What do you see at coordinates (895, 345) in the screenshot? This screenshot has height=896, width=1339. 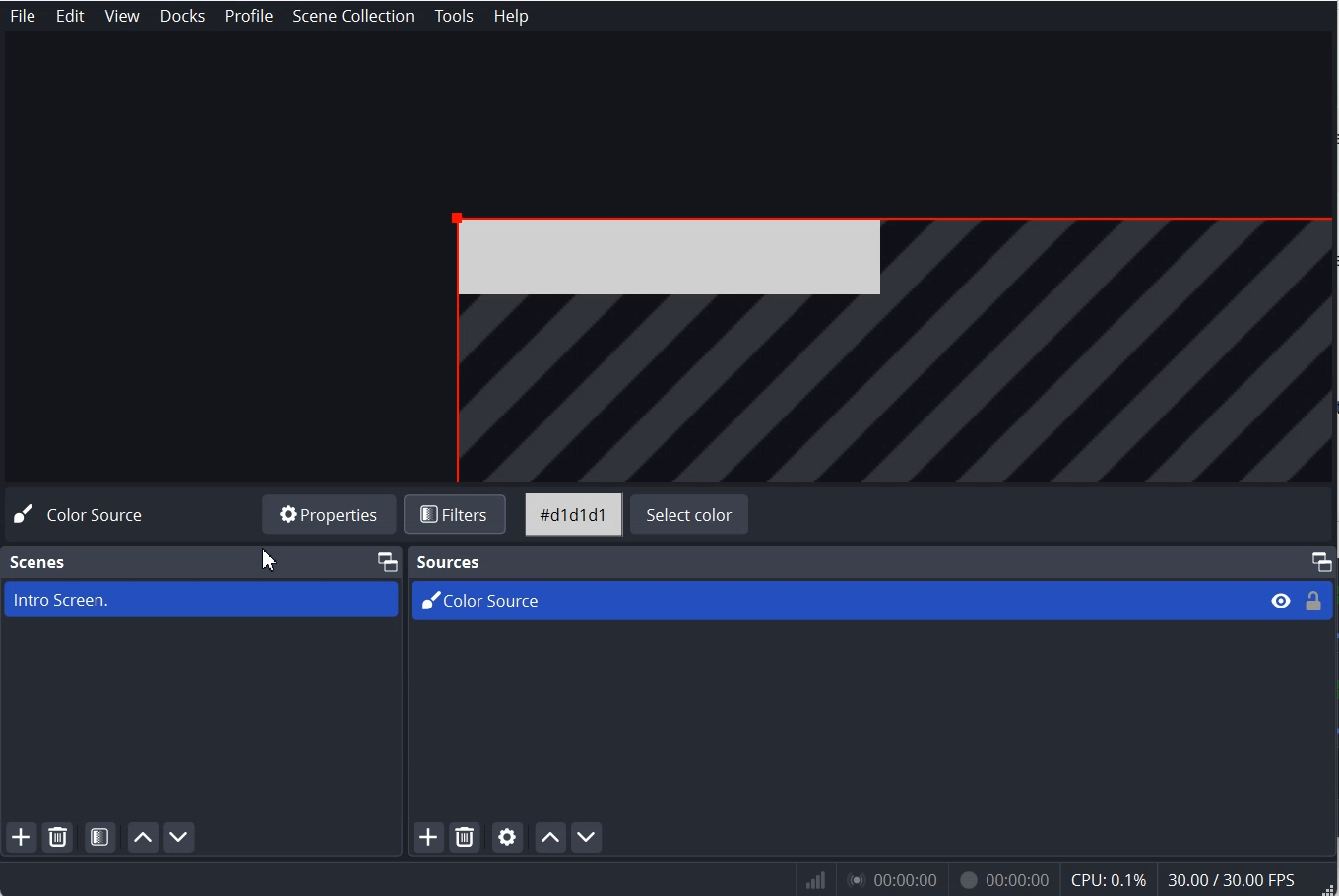 I see `File ` at bounding box center [895, 345].